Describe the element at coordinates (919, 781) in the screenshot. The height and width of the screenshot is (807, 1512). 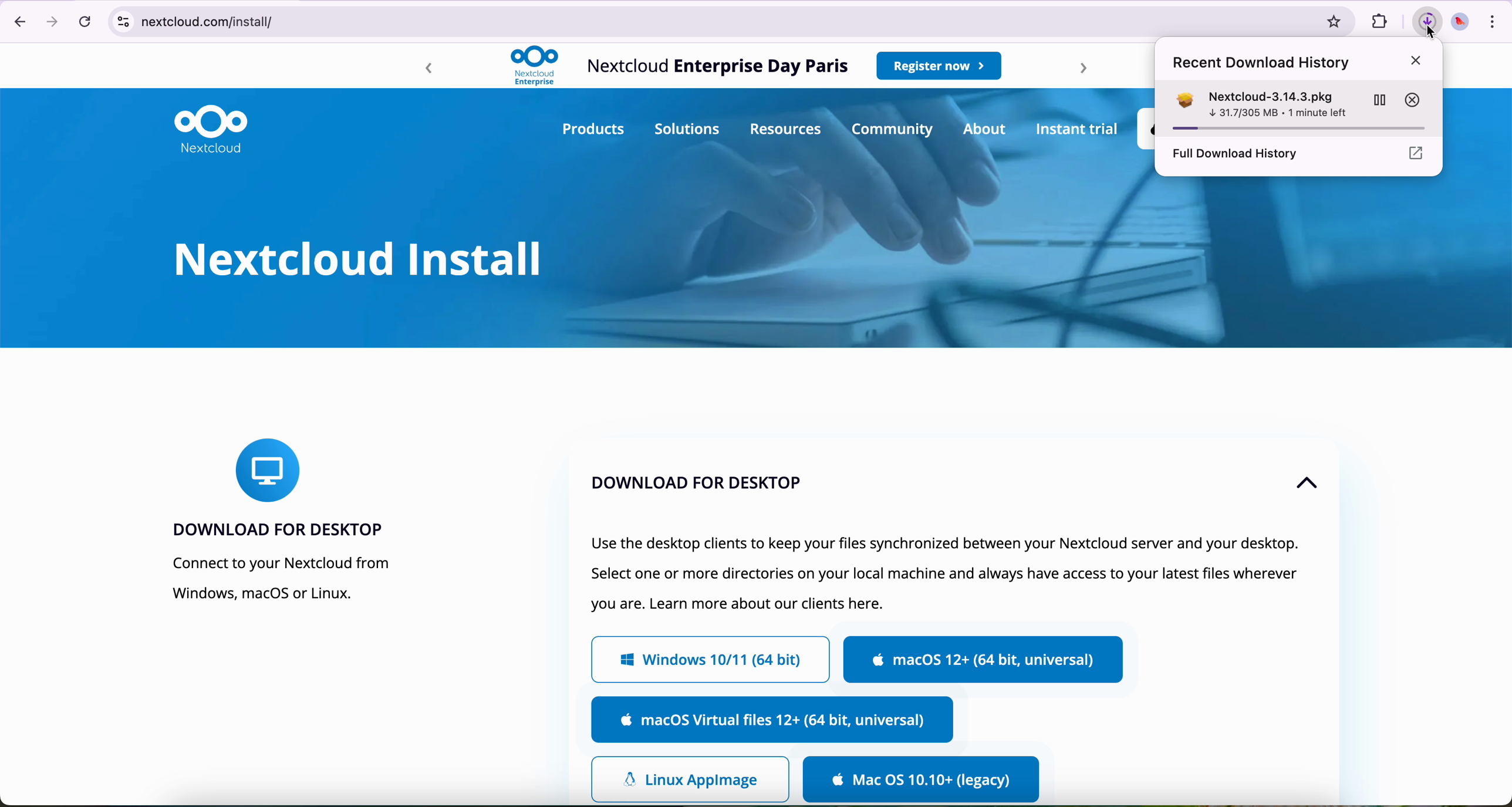
I see `download for Mac OS legacy` at that location.